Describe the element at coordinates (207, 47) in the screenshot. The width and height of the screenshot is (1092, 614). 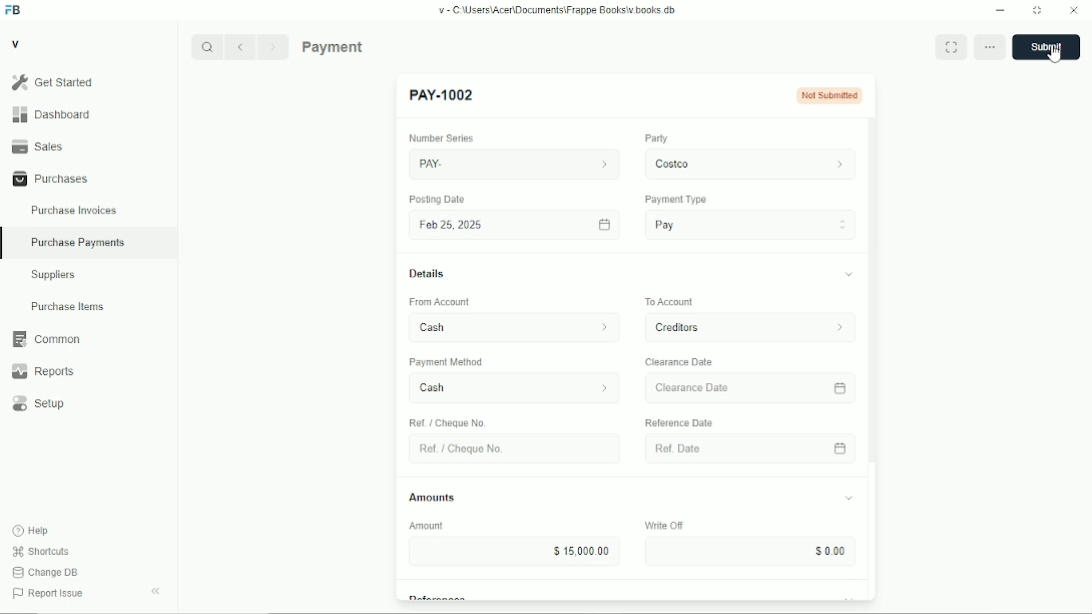
I see `Search` at that location.